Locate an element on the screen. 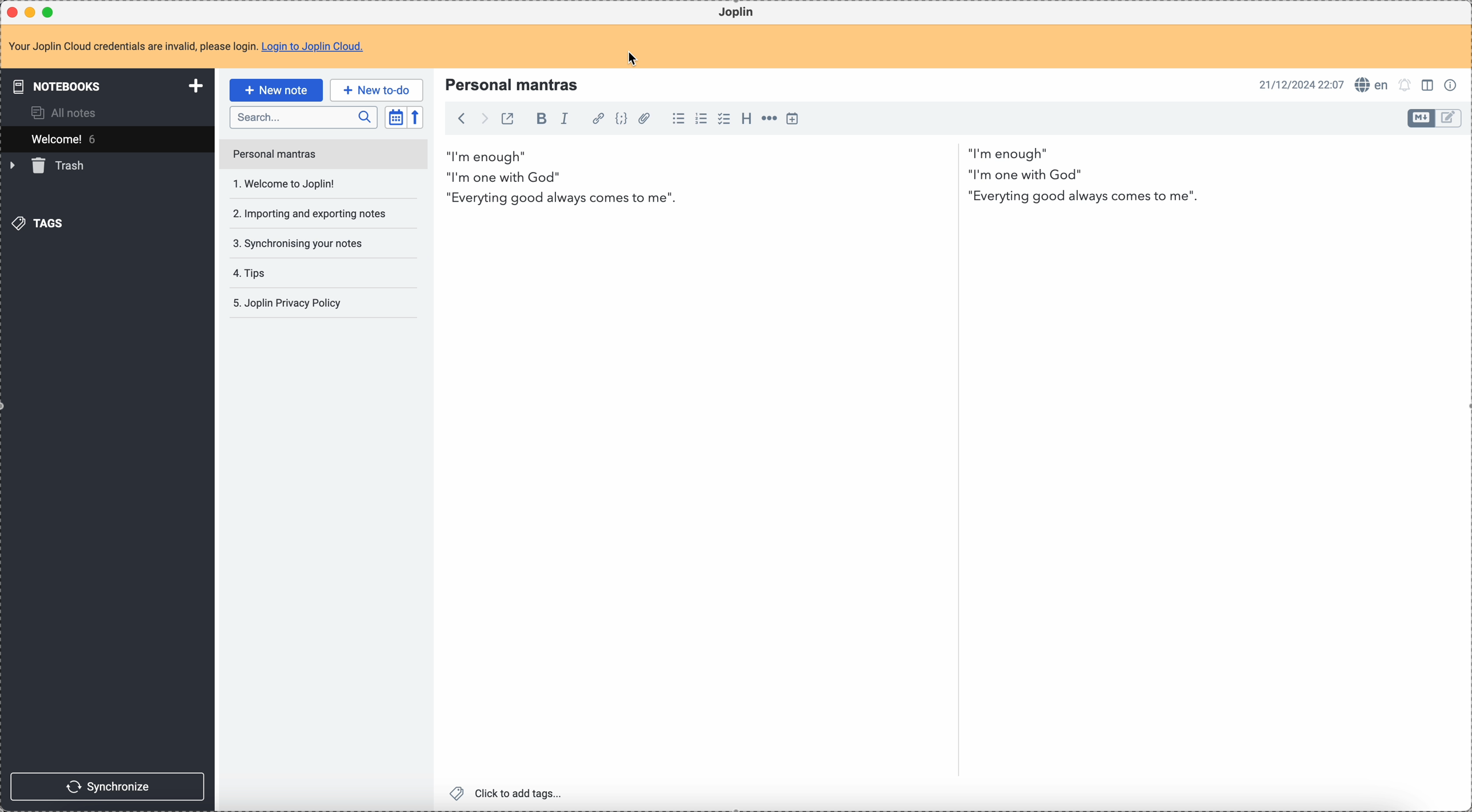 The image size is (1472, 812). note properties is located at coordinates (1453, 86).